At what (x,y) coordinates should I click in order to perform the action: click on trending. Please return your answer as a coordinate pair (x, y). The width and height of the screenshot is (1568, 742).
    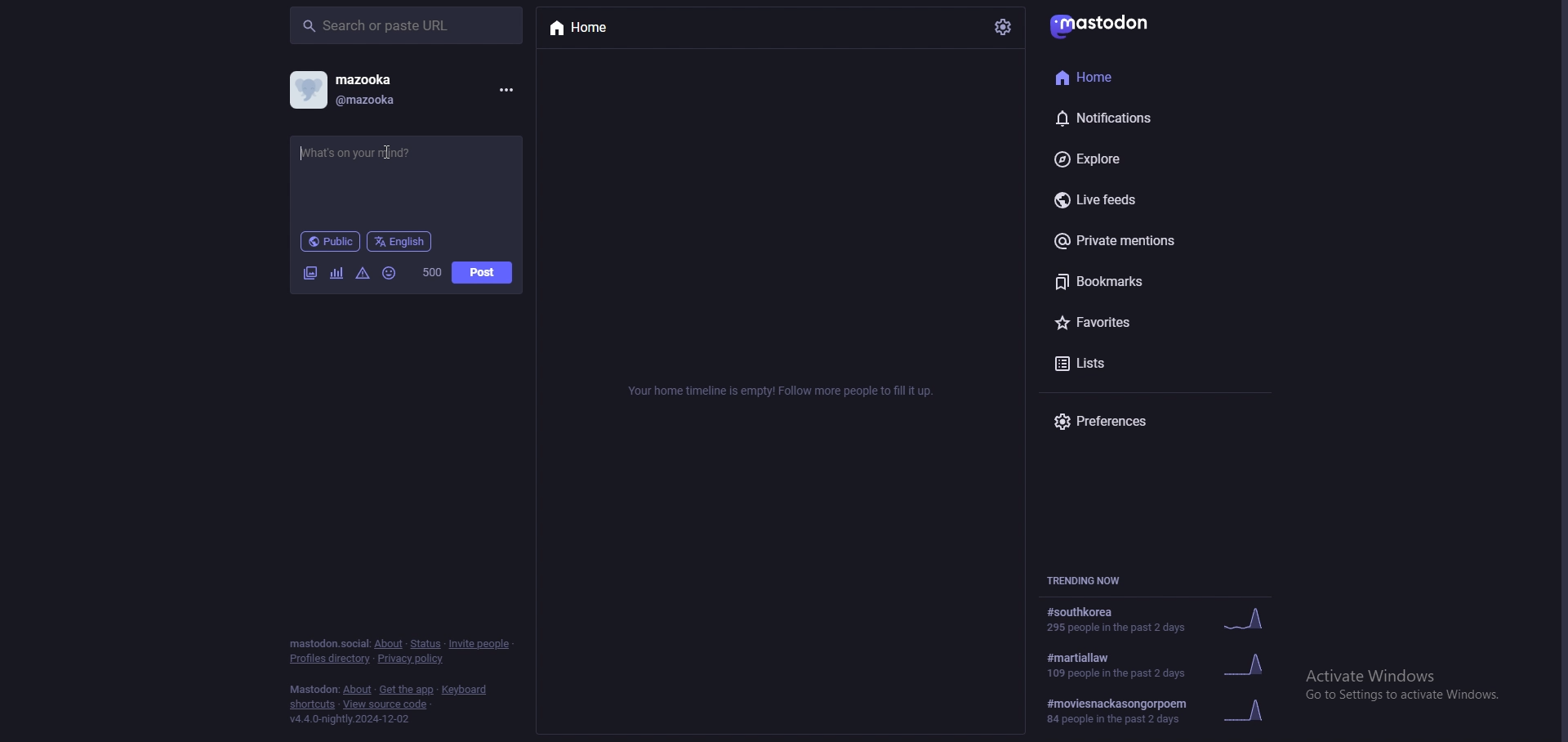
    Looking at the image, I should click on (1169, 711).